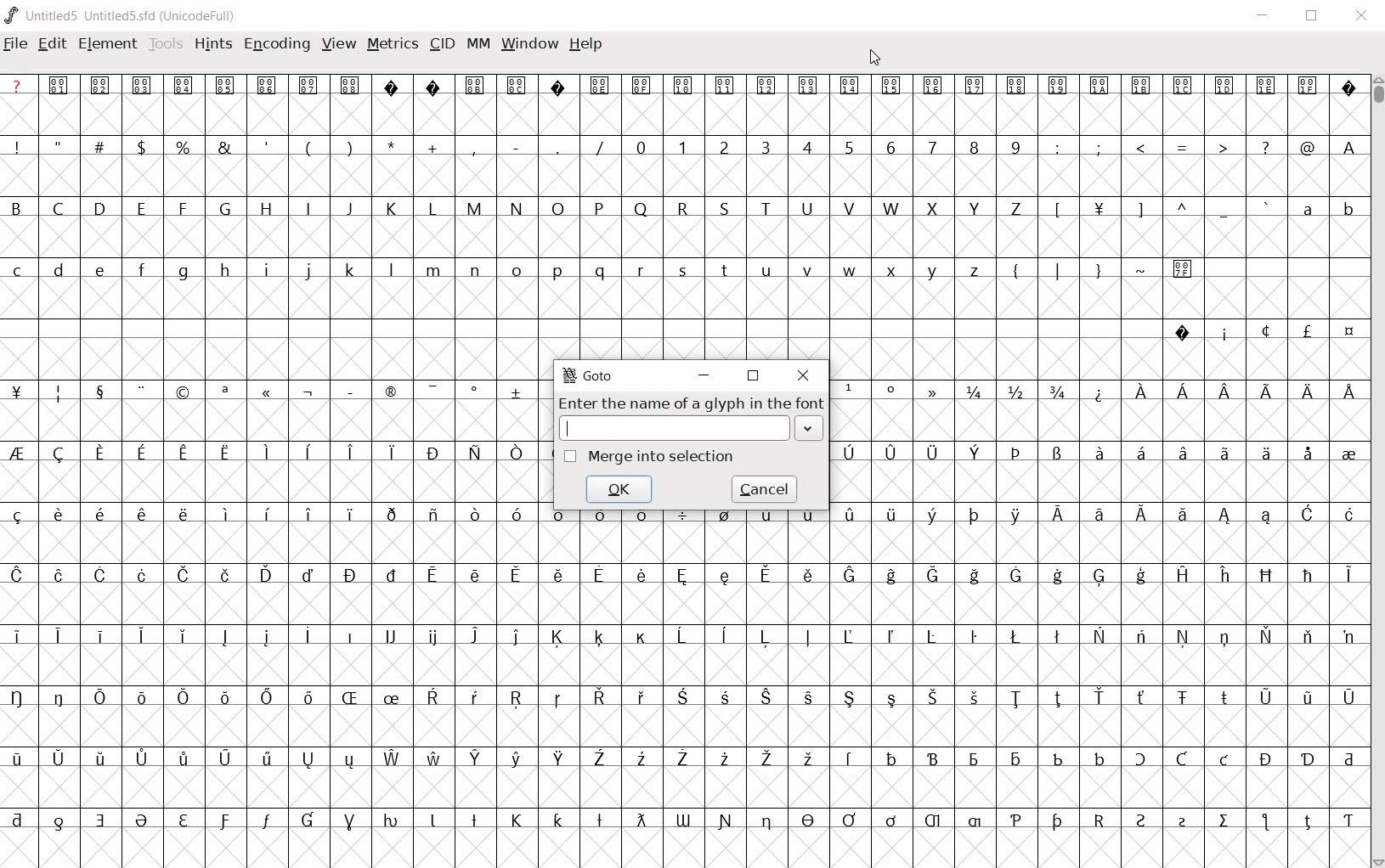 This screenshot has width=1385, height=868. I want to click on Symbol, so click(144, 822).